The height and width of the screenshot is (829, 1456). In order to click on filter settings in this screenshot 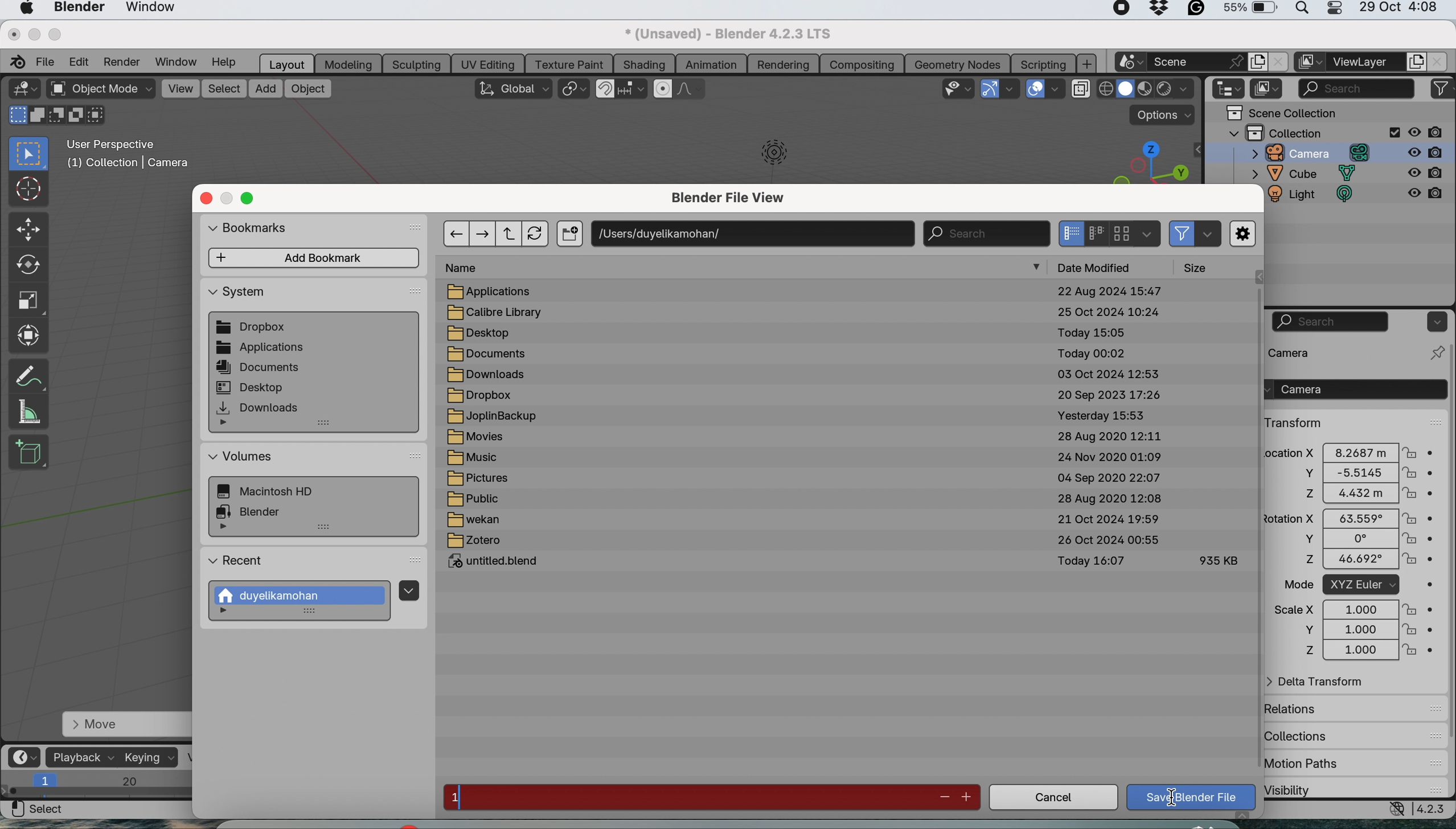, I will do `click(1207, 235)`.